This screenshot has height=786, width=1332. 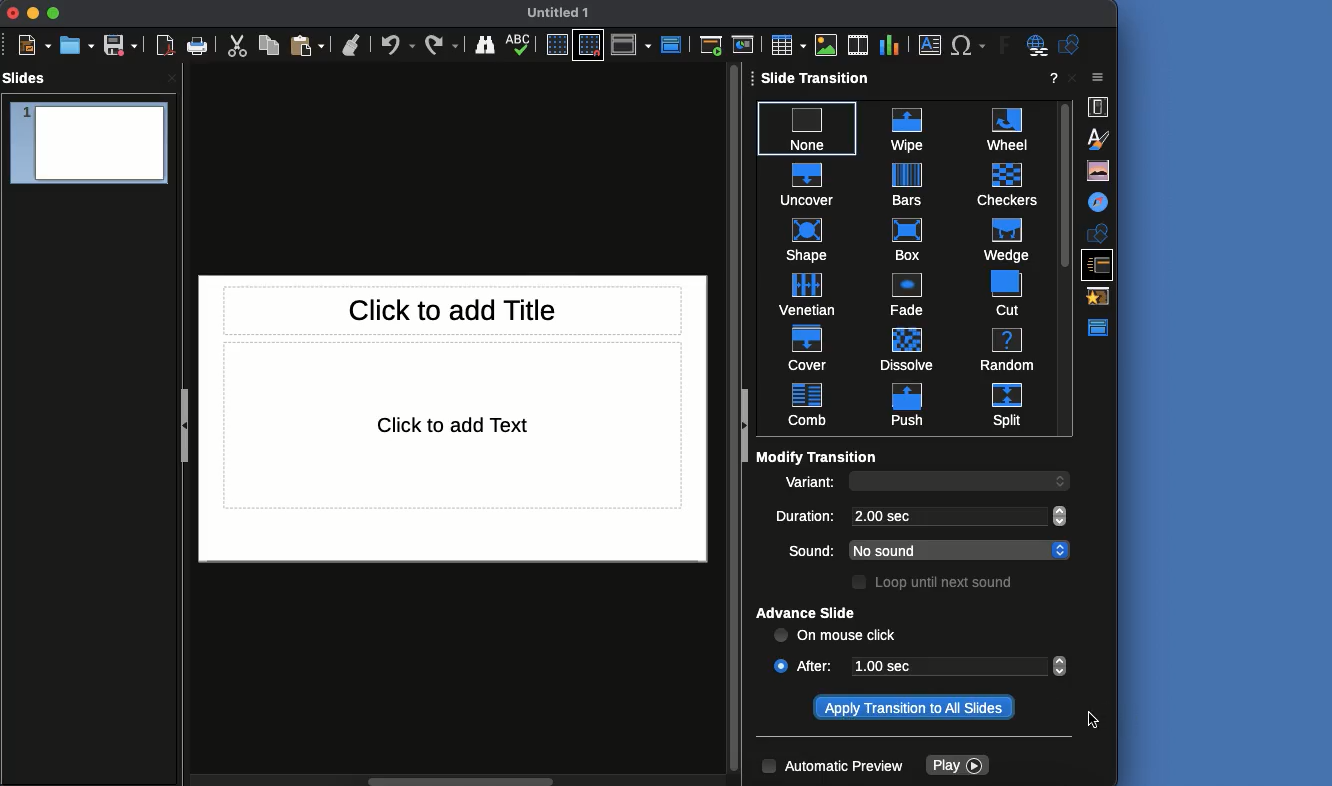 What do you see at coordinates (589, 45) in the screenshot?
I see `Snap to grid` at bounding box center [589, 45].